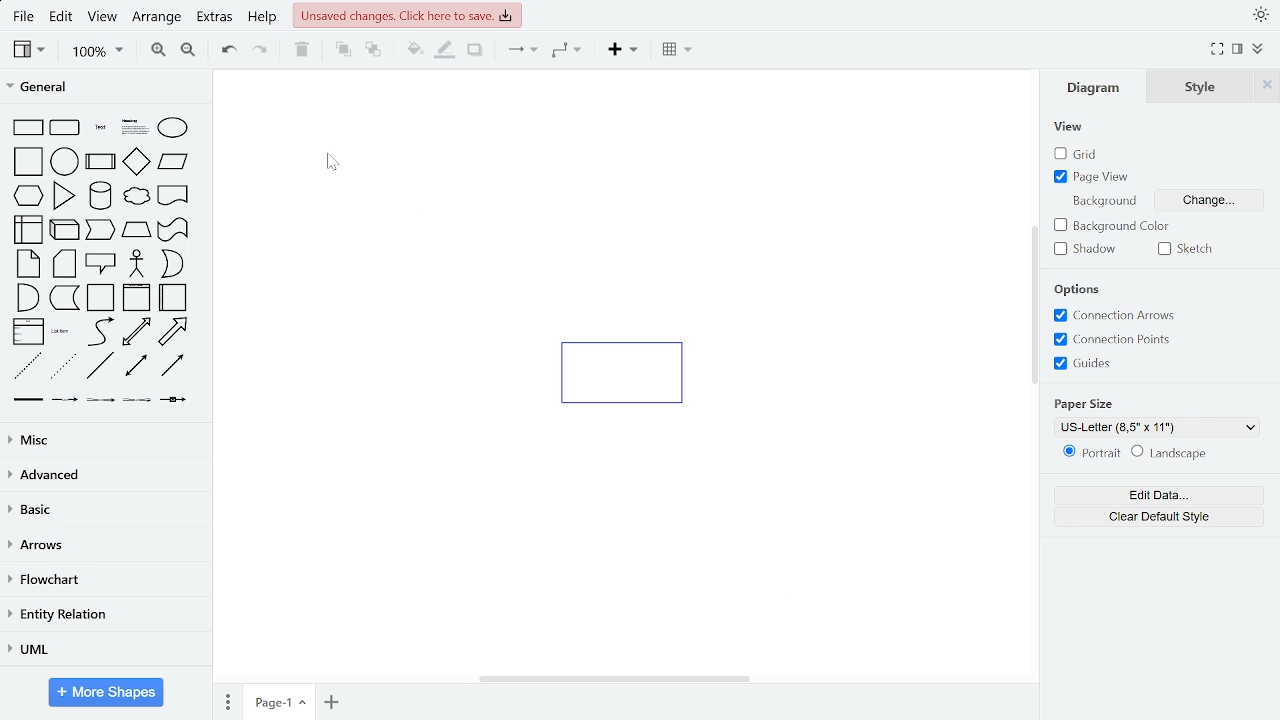 The width and height of the screenshot is (1280, 720). I want to click on shadow, so click(1086, 249).